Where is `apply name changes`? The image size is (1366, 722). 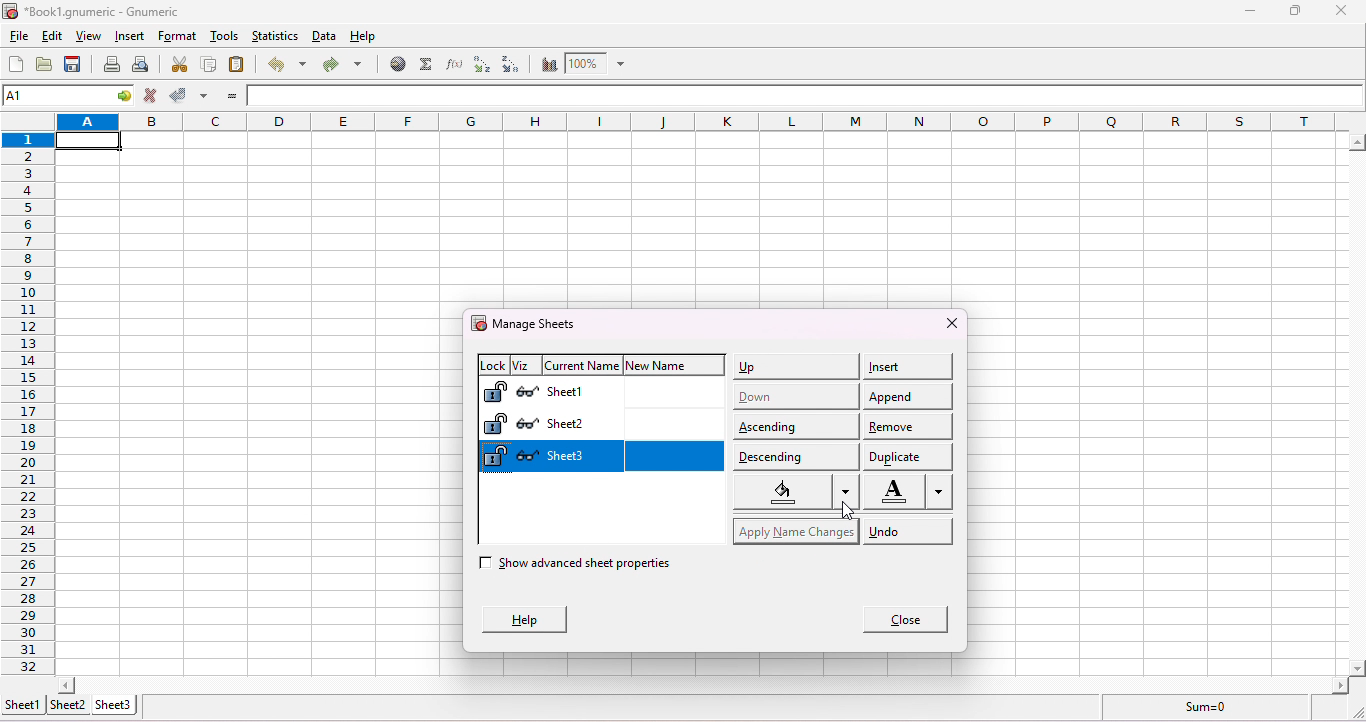 apply name changes is located at coordinates (794, 529).